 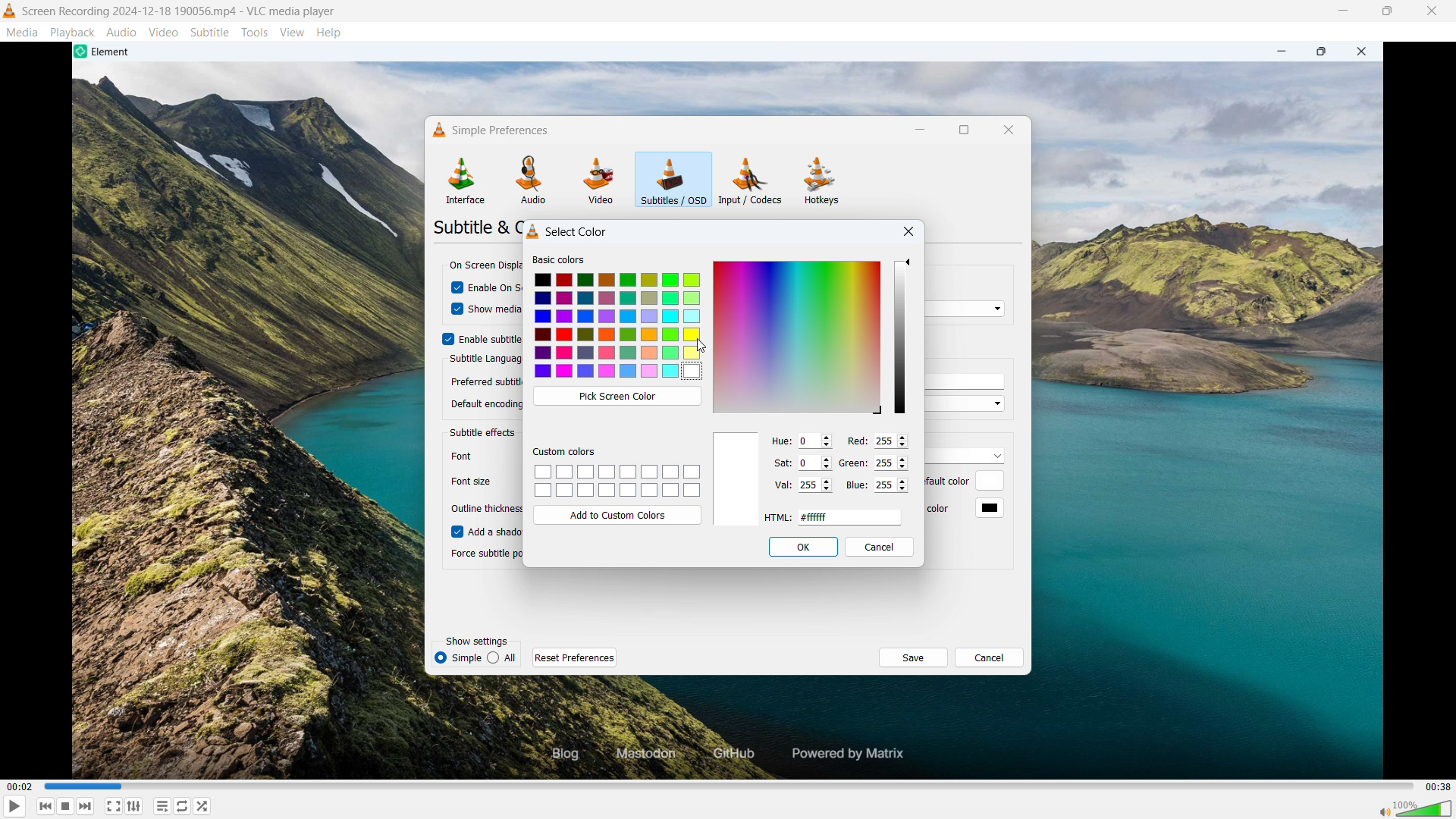 I want to click on Media , so click(x=22, y=33).